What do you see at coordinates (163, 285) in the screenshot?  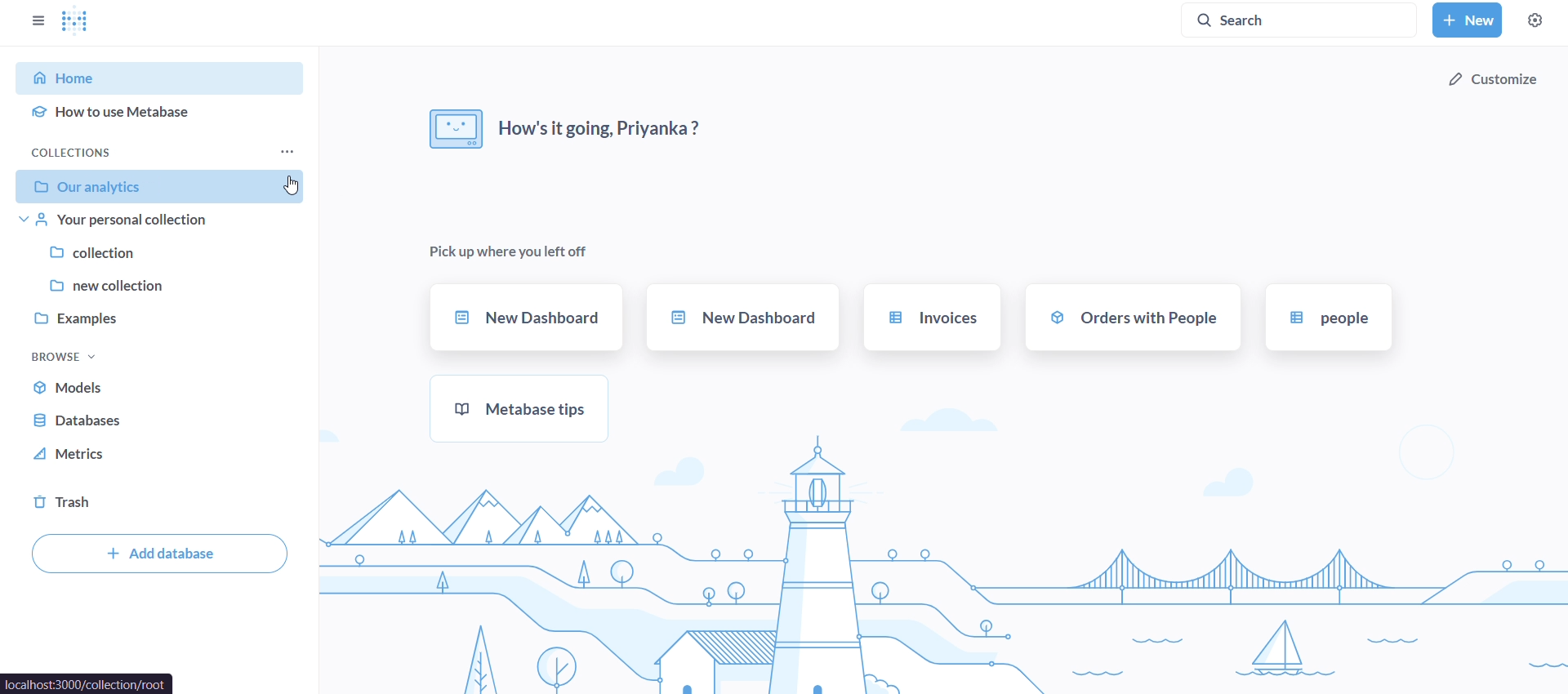 I see `new collection` at bounding box center [163, 285].